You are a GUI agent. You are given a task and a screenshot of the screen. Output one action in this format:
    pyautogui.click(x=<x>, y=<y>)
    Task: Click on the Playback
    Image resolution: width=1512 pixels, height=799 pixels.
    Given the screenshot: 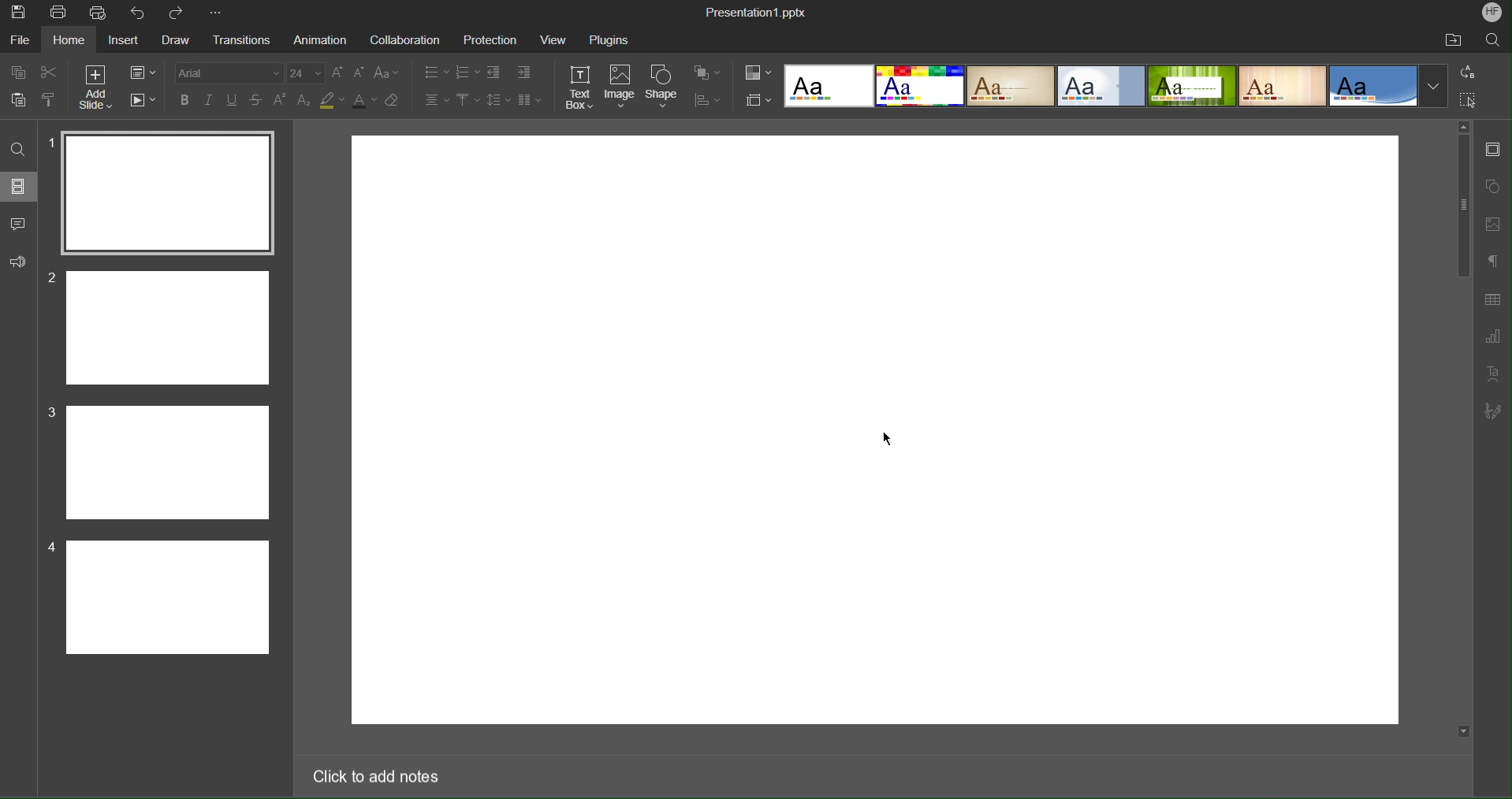 What is the action you would take?
    pyautogui.click(x=142, y=98)
    